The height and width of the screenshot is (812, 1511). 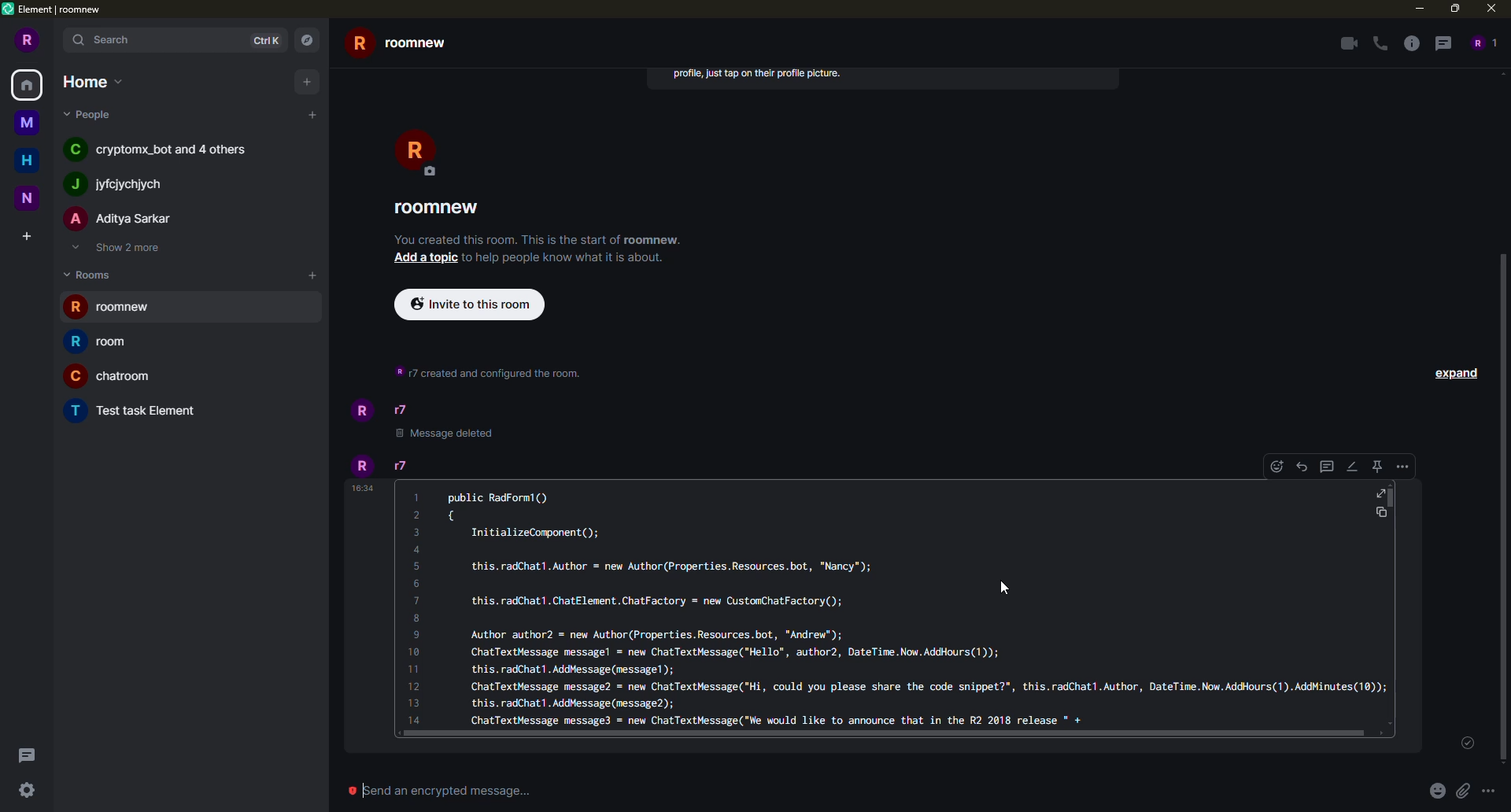 What do you see at coordinates (1461, 744) in the screenshot?
I see `sent` at bounding box center [1461, 744].